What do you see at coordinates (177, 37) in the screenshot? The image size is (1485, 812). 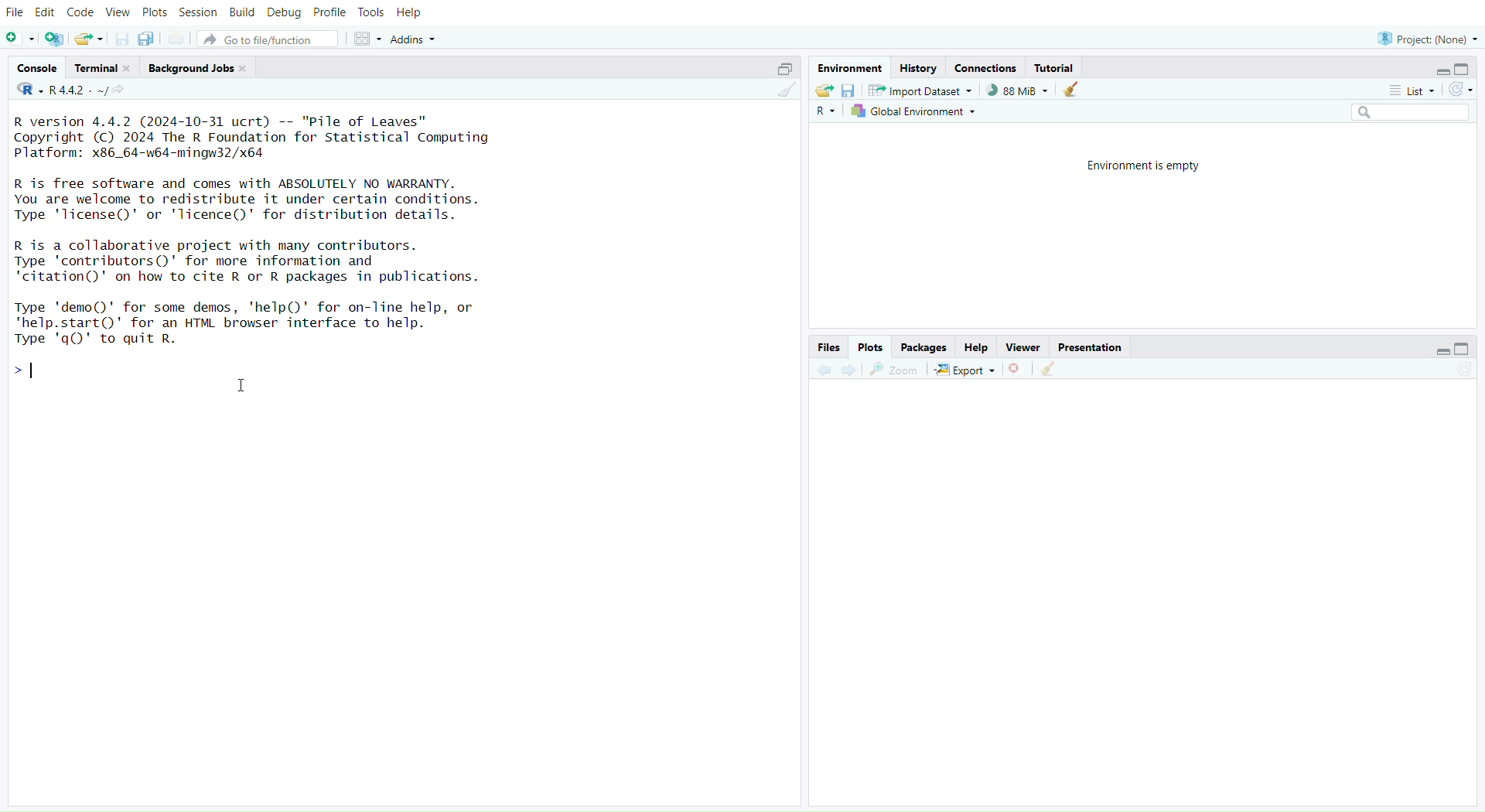 I see `print current file` at bounding box center [177, 37].